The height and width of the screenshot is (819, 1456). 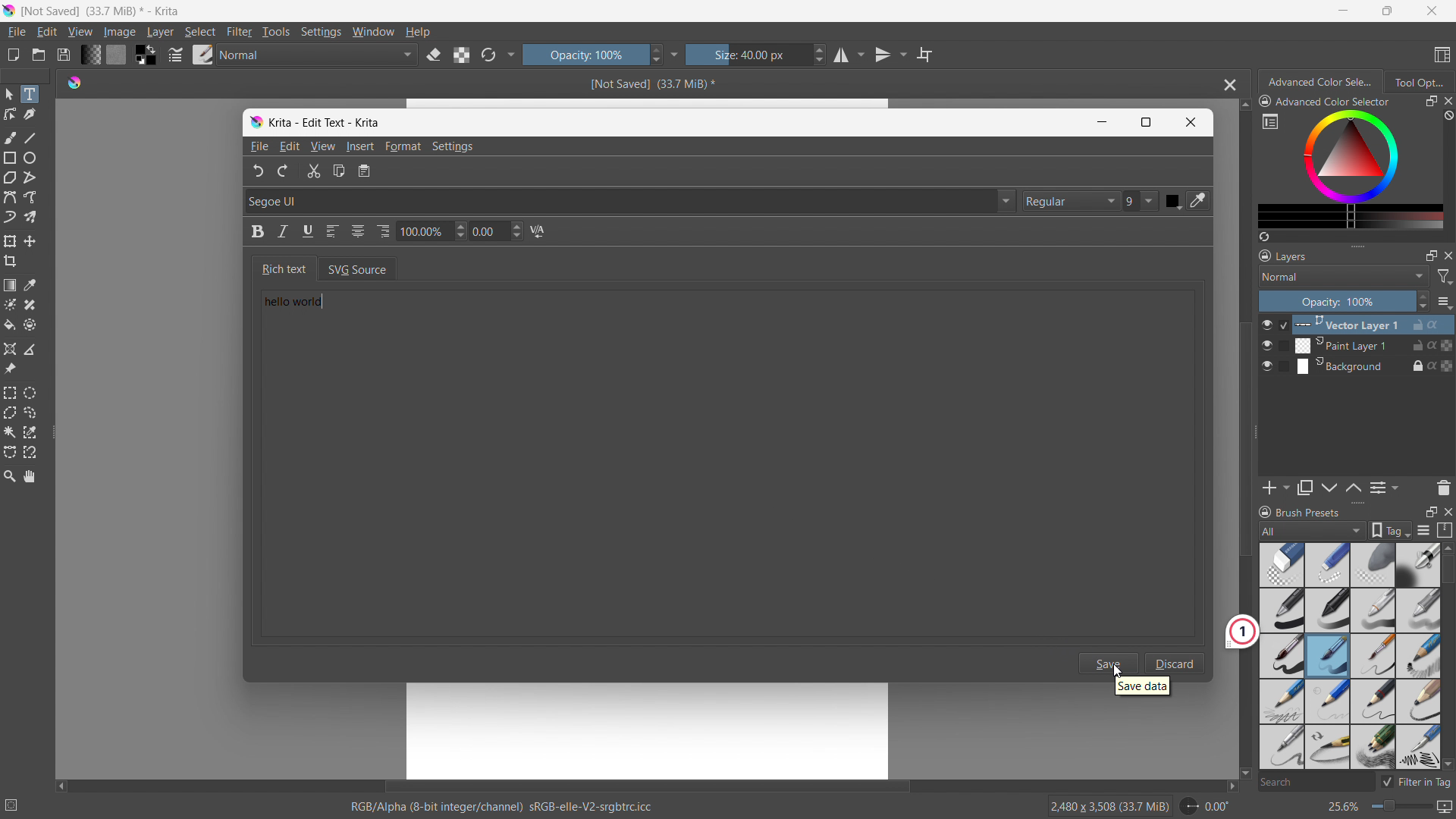 I want to click on maximize, so click(x=1430, y=511).